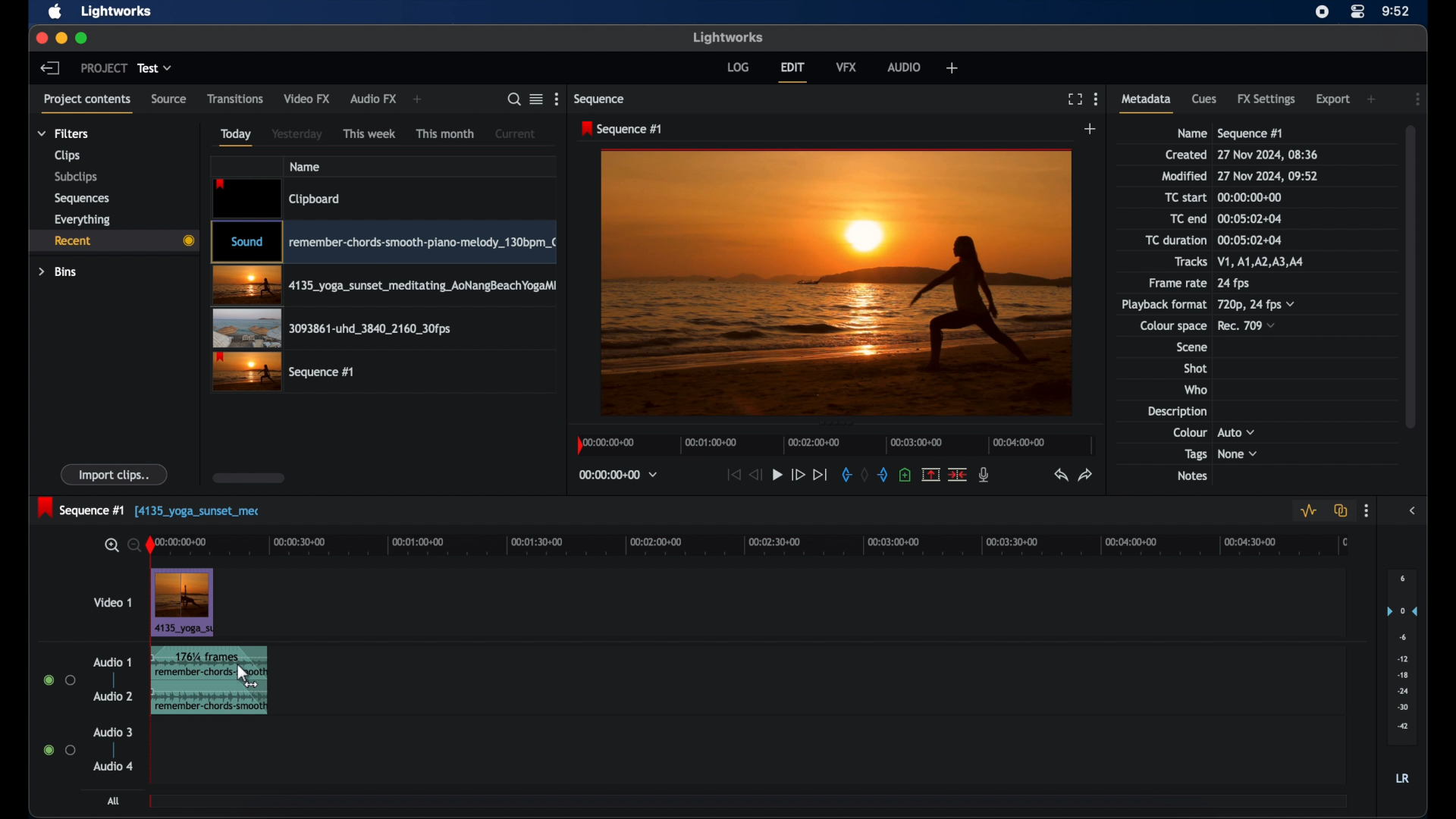  Describe the element at coordinates (1341, 510) in the screenshot. I see `toggle auto track sync` at that location.